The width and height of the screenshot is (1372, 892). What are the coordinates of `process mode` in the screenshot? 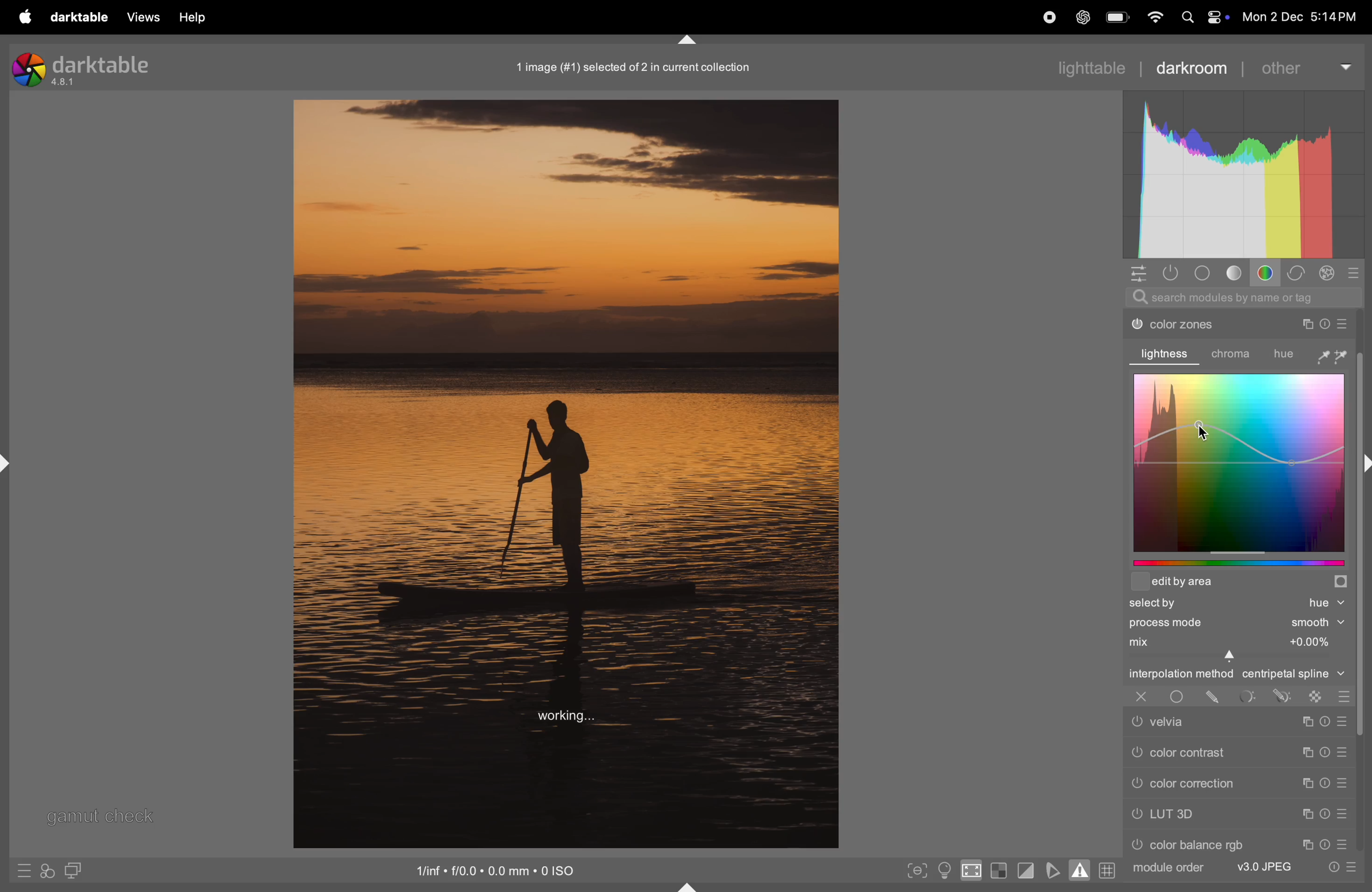 It's located at (1202, 623).